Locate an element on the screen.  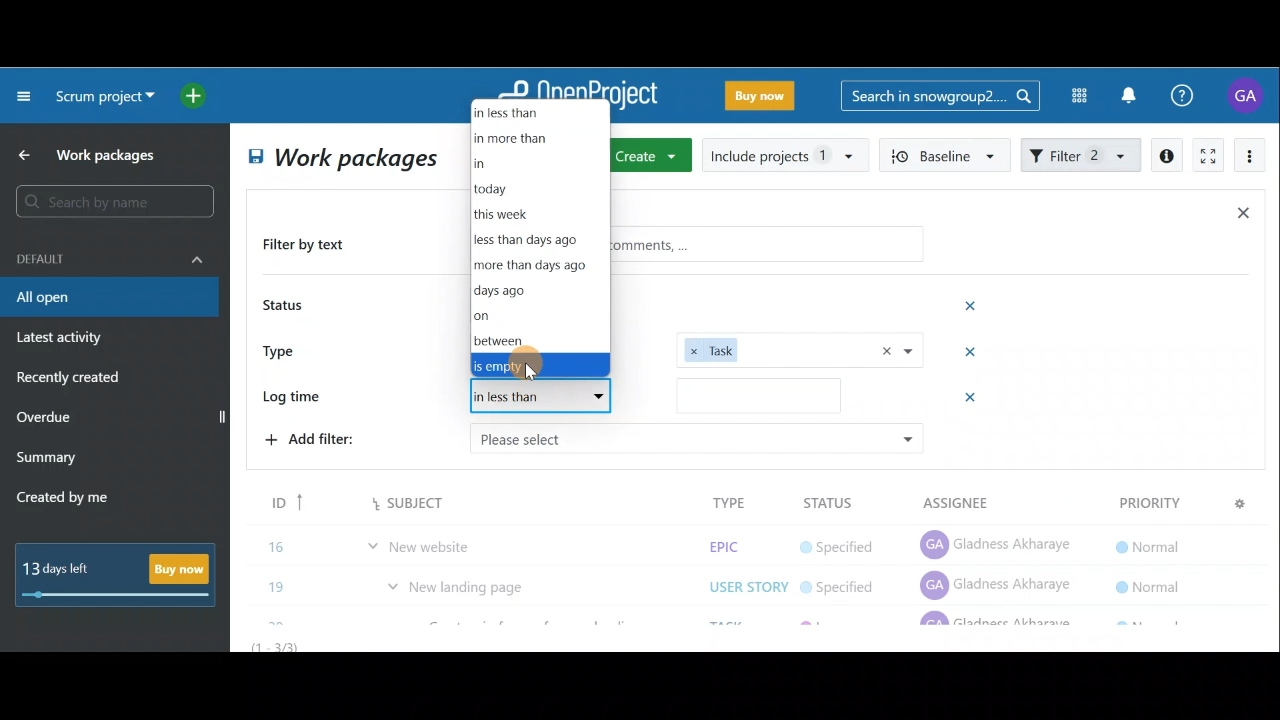
(GA) Gladness Akharaye is located at coordinates (999, 500).